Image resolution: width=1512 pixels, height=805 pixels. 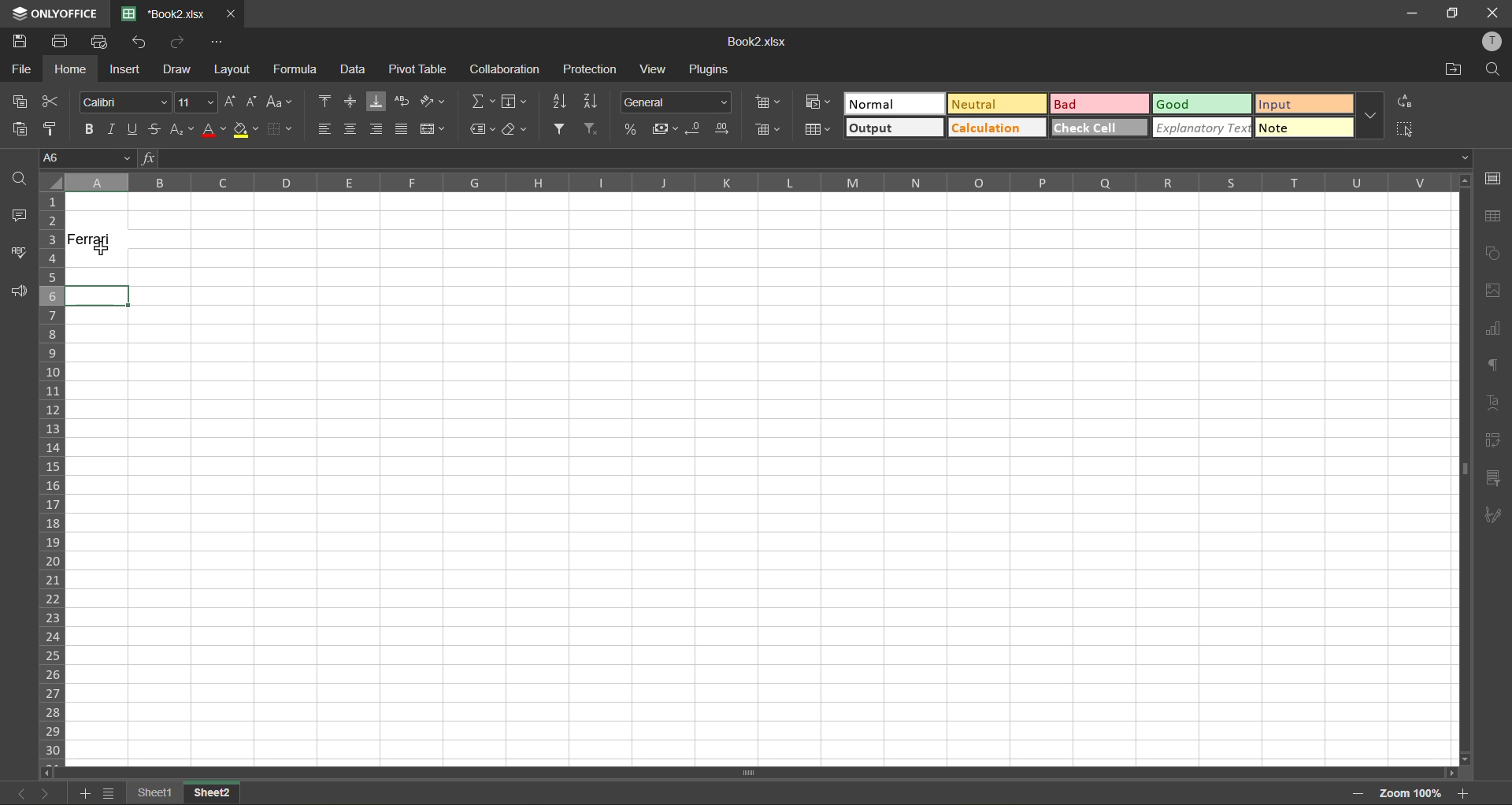 I want to click on clear filter, so click(x=593, y=130).